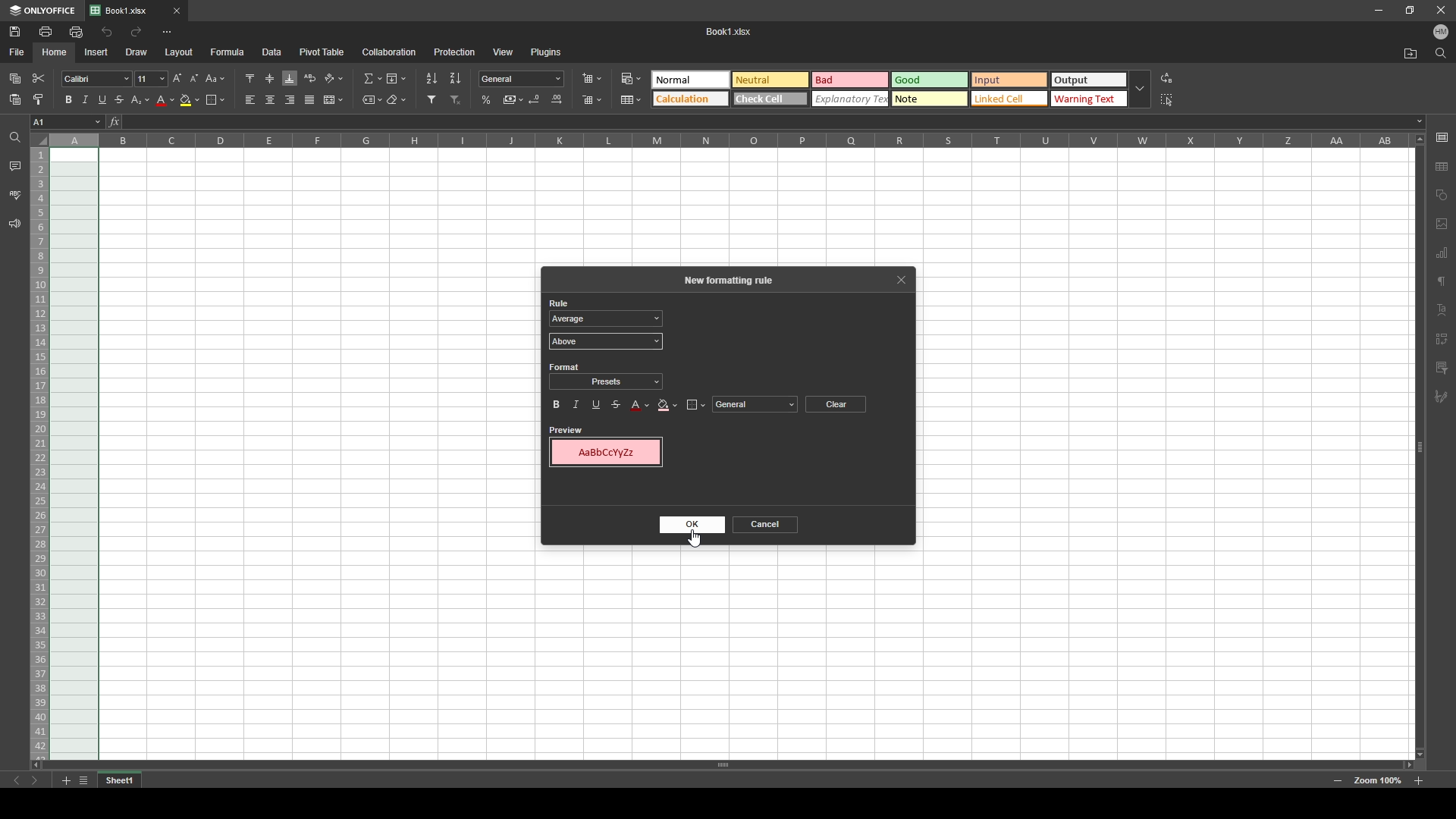  Describe the element at coordinates (372, 100) in the screenshot. I see `named ranges` at that location.